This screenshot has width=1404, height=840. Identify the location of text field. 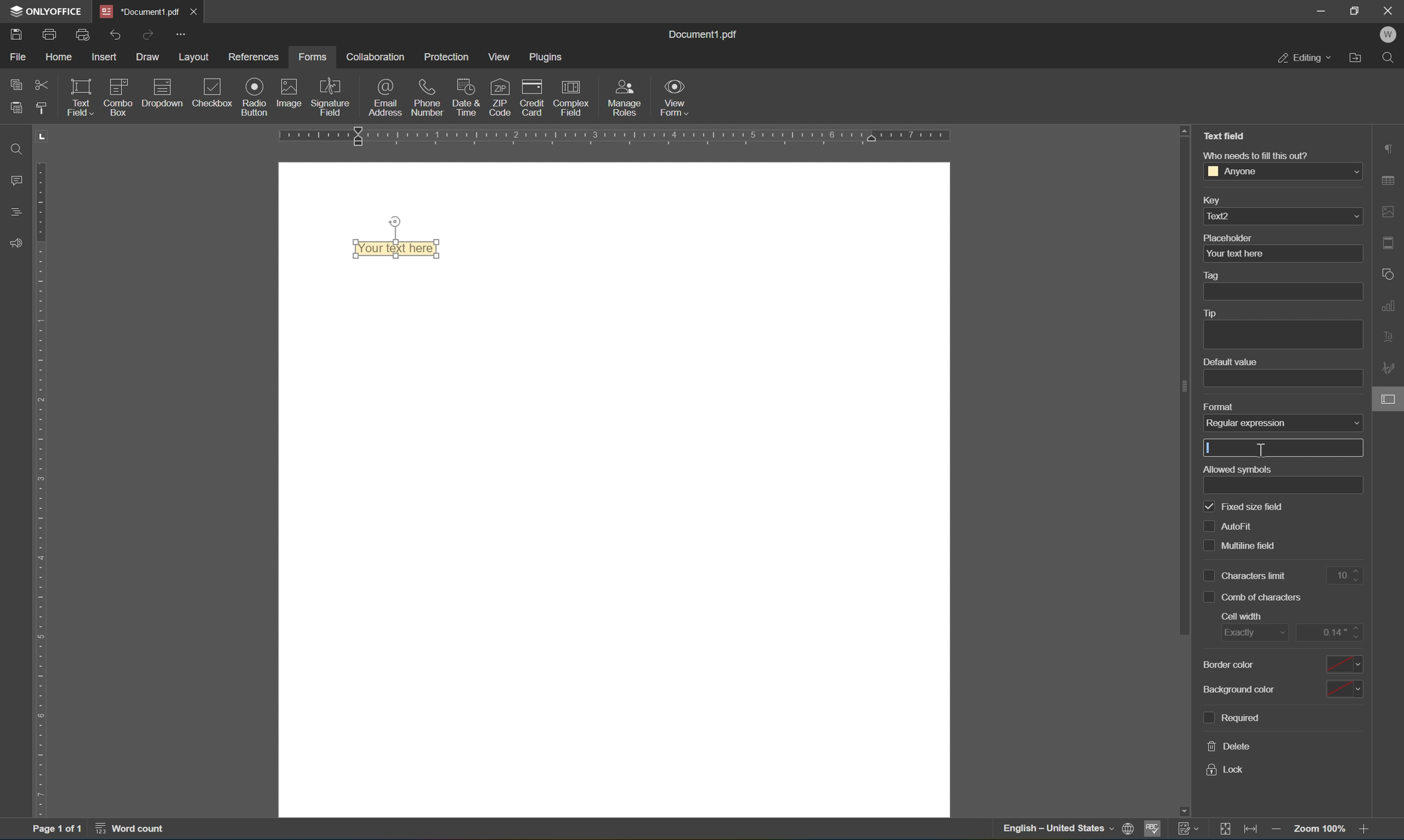
(79, 96).